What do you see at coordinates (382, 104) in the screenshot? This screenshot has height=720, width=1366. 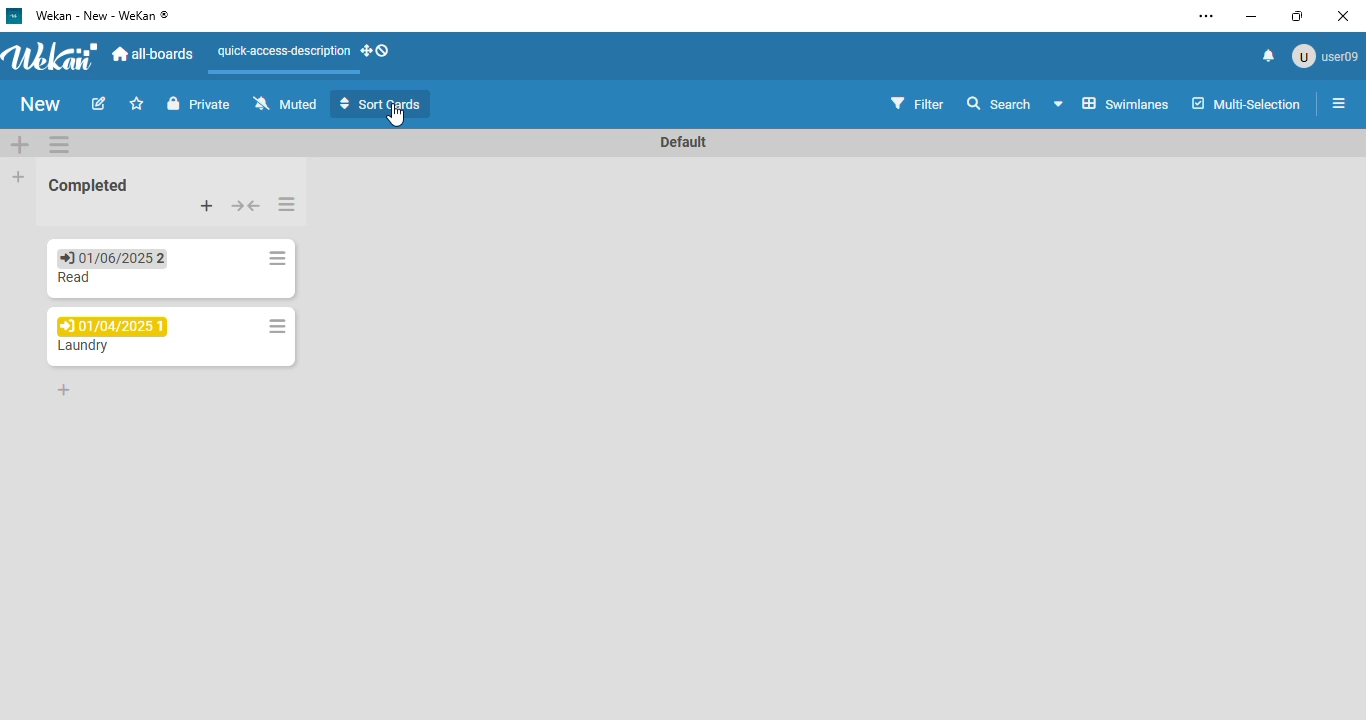 I see `sort cards` at bounding box center [382, 104].